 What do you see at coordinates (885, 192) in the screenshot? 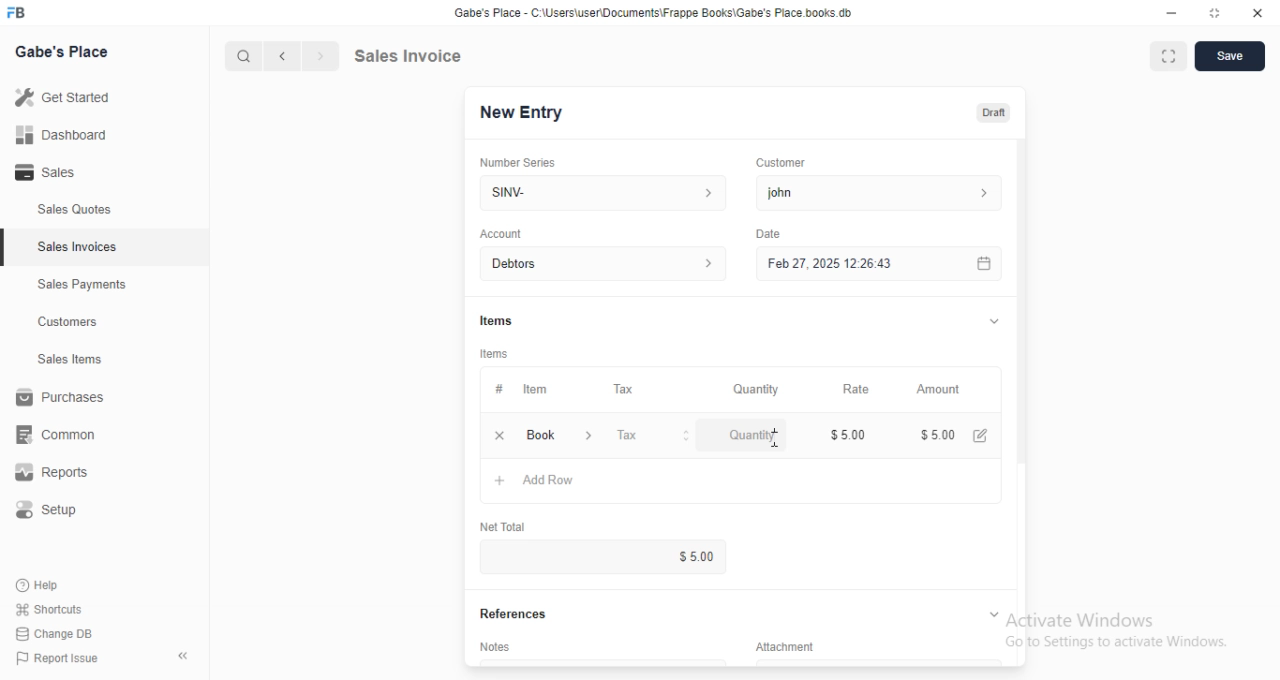
I see `john >` at bounding box center [885, 192].